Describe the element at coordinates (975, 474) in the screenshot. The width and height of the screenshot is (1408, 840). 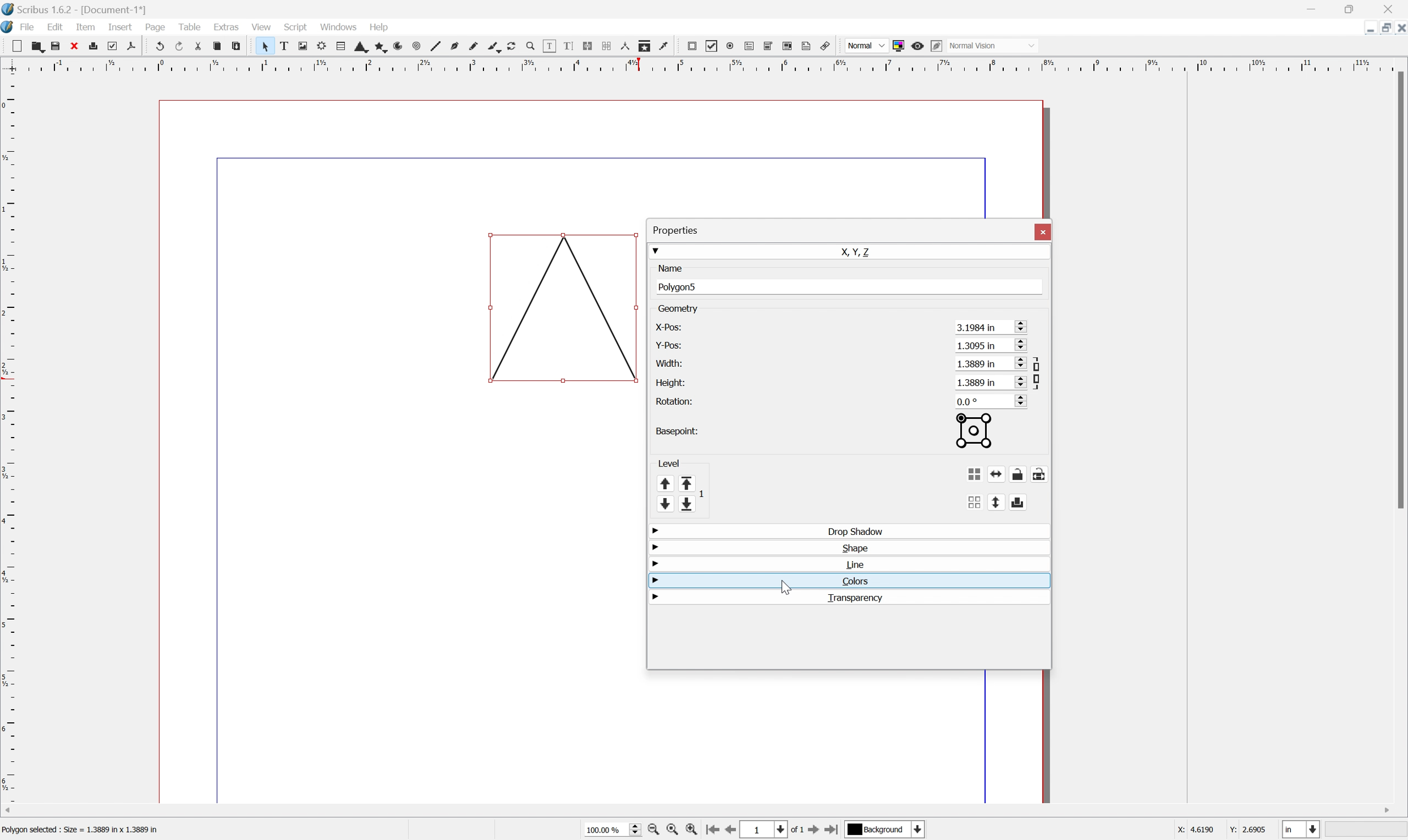
I see `Group the selected objects` at that location.